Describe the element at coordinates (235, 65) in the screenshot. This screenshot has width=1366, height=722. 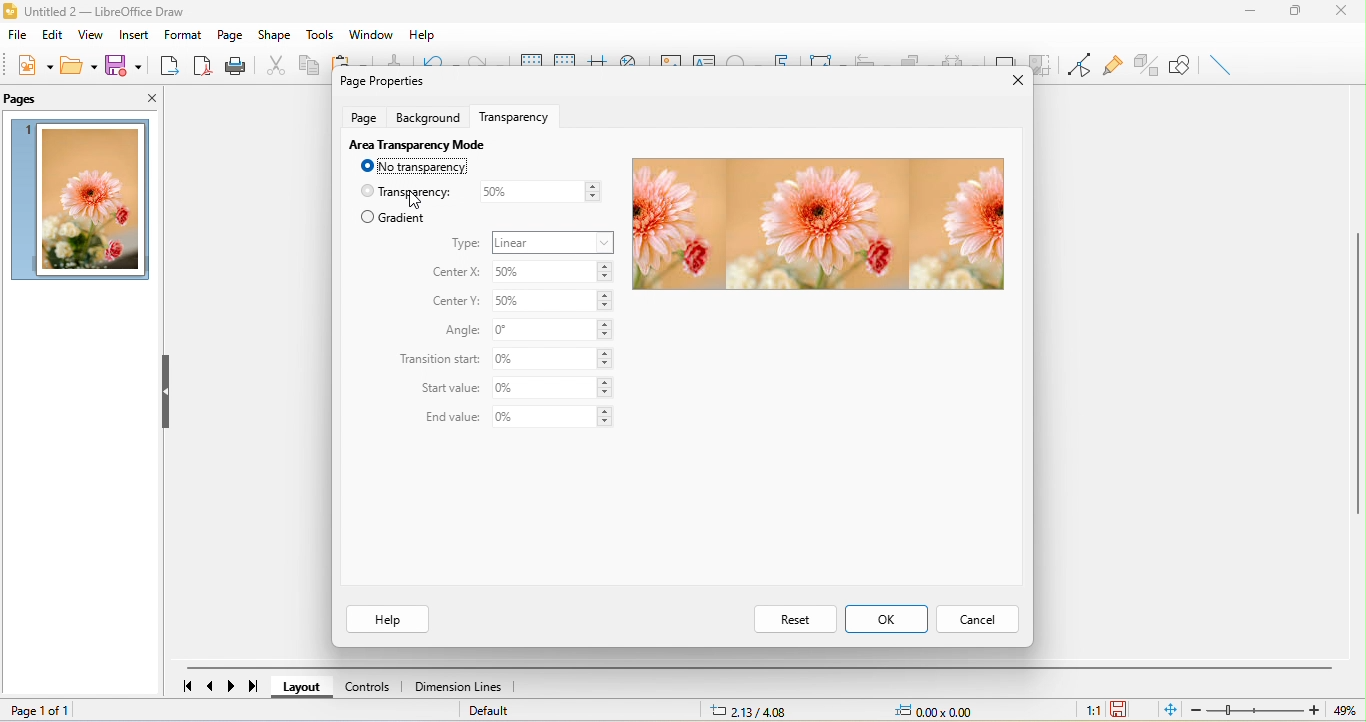
I see `print` at that location.